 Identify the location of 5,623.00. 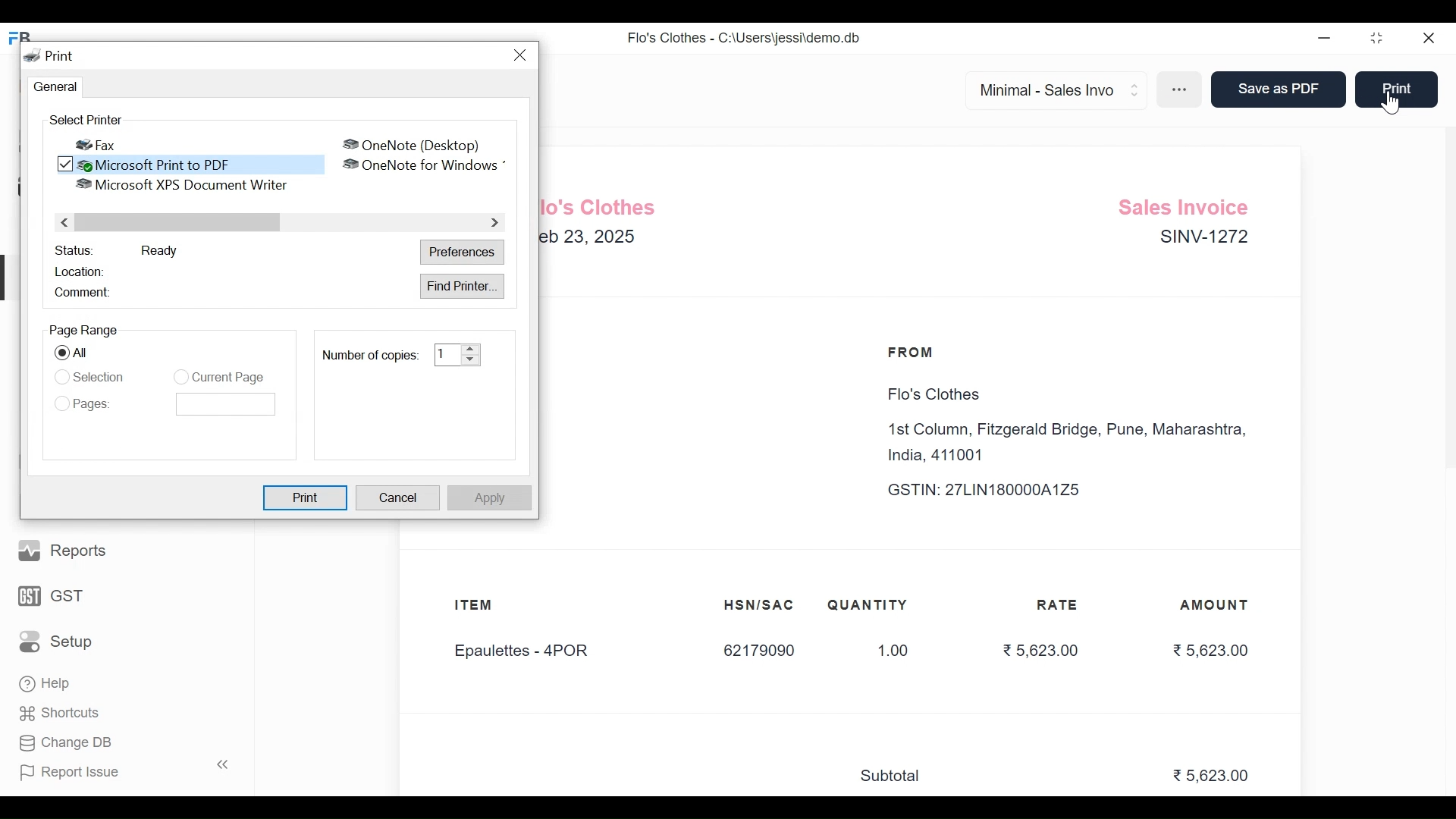
(1213, 777).